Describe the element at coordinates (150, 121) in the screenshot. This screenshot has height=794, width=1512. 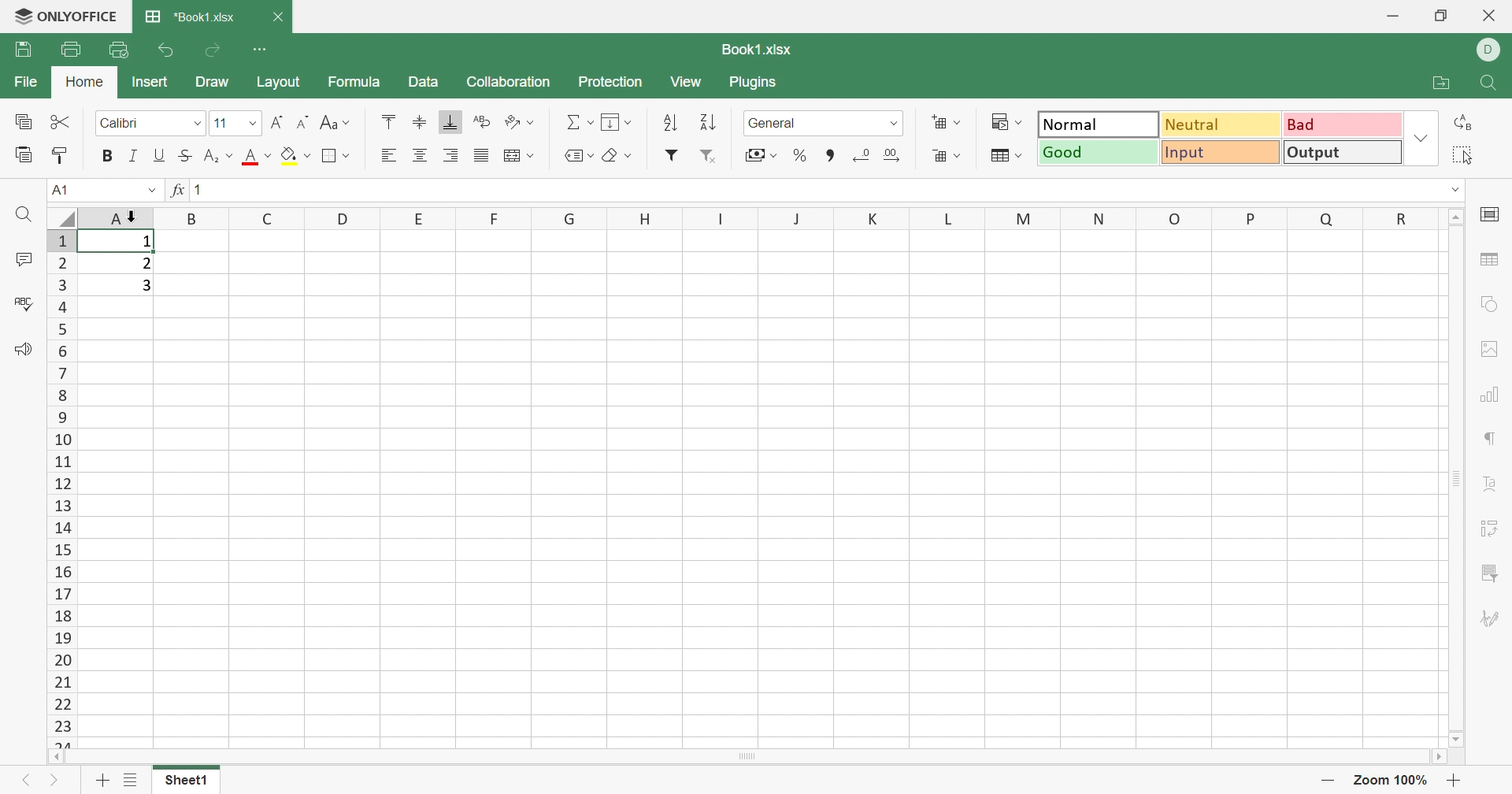
I see `Font` at that location.